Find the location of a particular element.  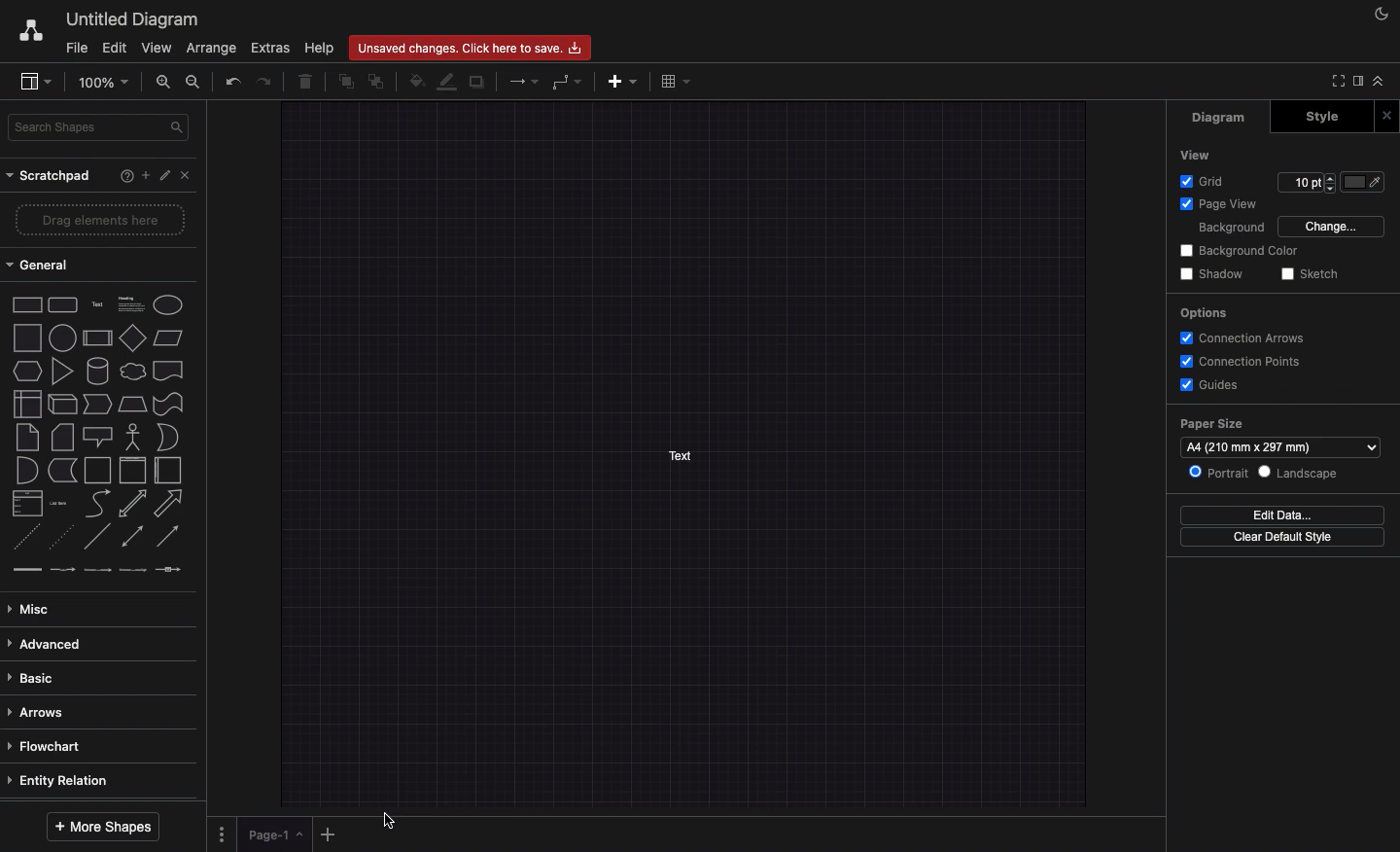

Zoom out is located at coordinates (193, 81).